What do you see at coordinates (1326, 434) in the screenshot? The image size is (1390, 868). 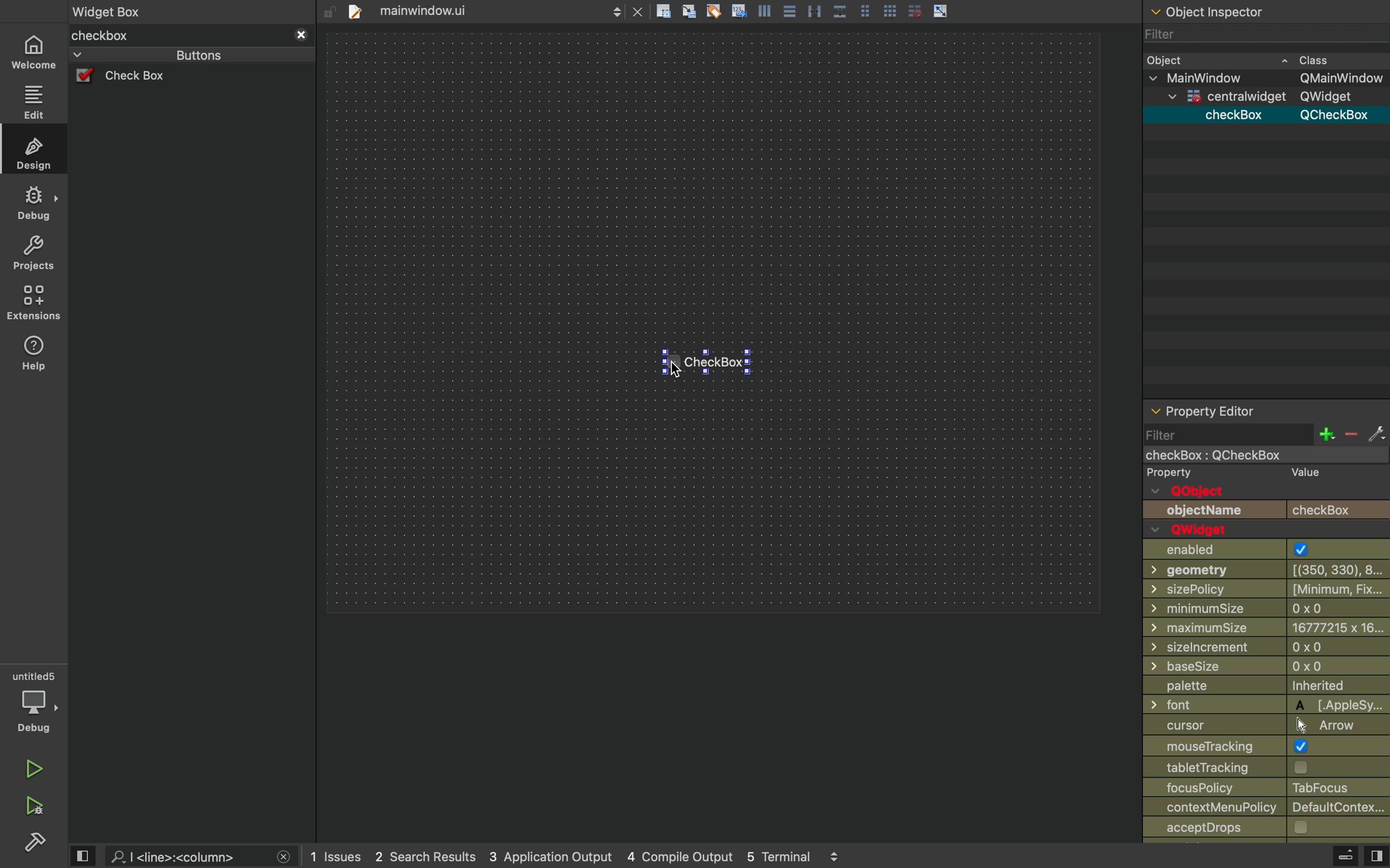 I see `plus` at bounding box center [1326, 434].